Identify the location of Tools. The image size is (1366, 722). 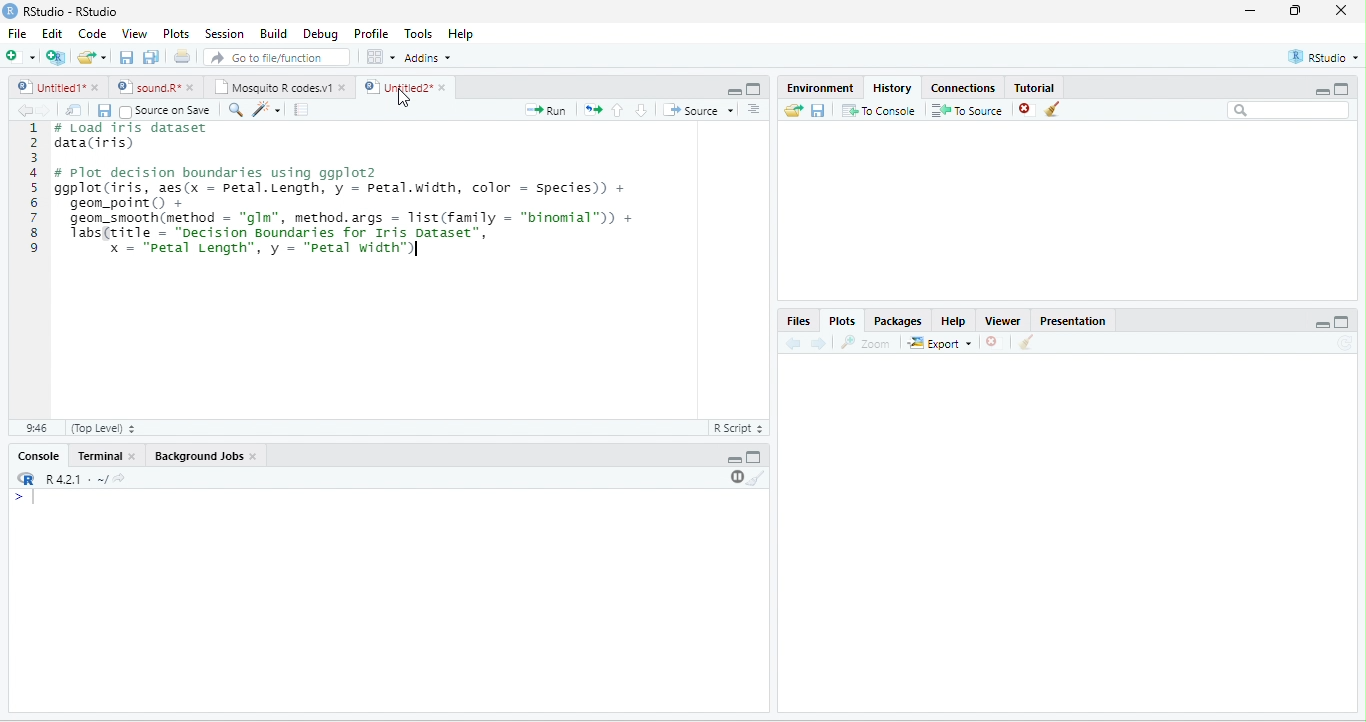
(420, 34).